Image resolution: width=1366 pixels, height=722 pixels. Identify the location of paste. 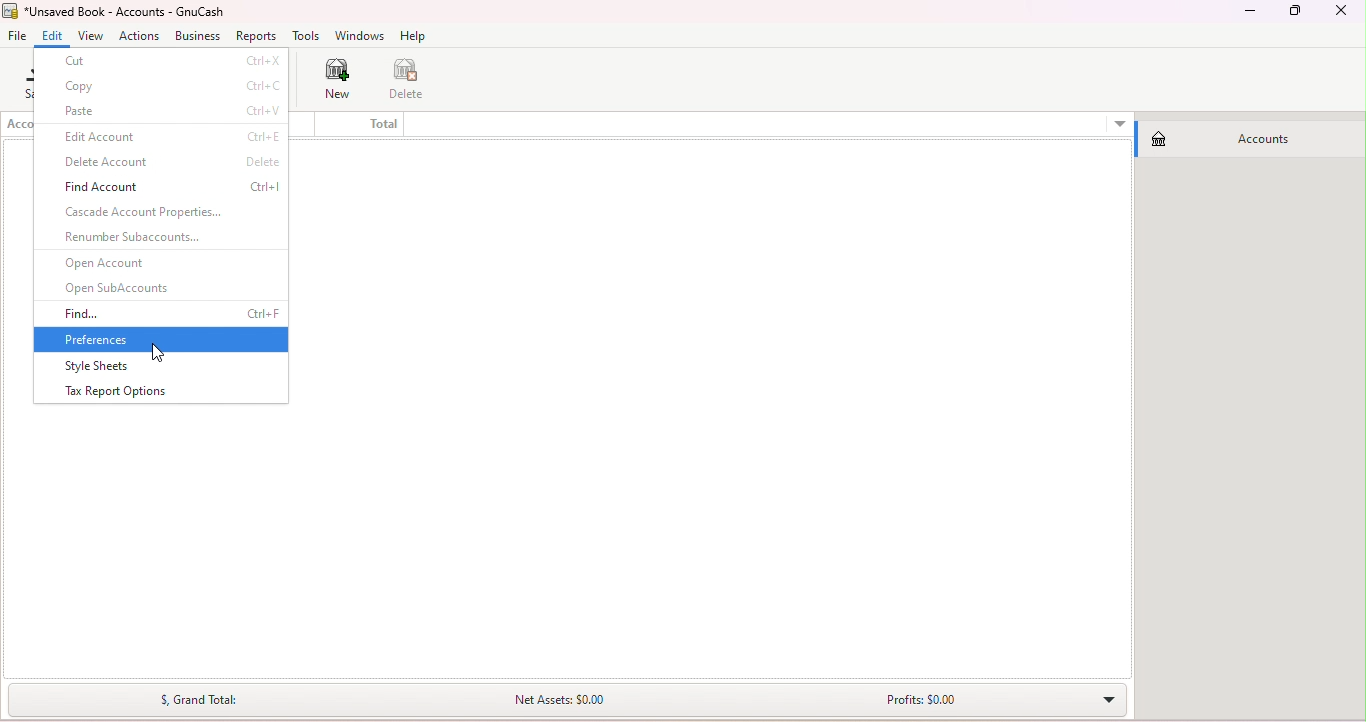
(164, 110).